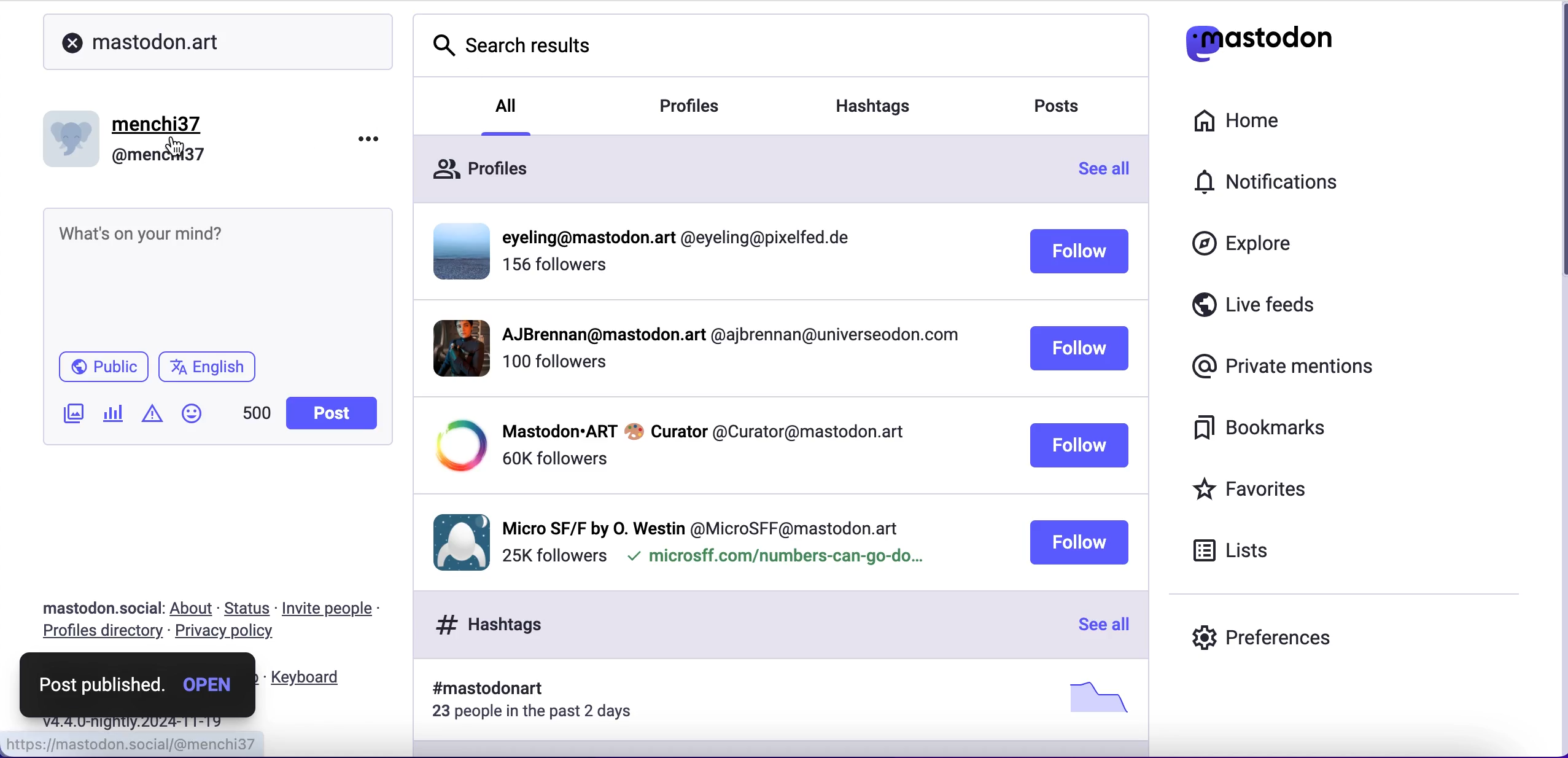 This screenshot has width=1568, height=758. Describe the element at coordinates (565, 364) in the screenshot. I see `followers` at that location.